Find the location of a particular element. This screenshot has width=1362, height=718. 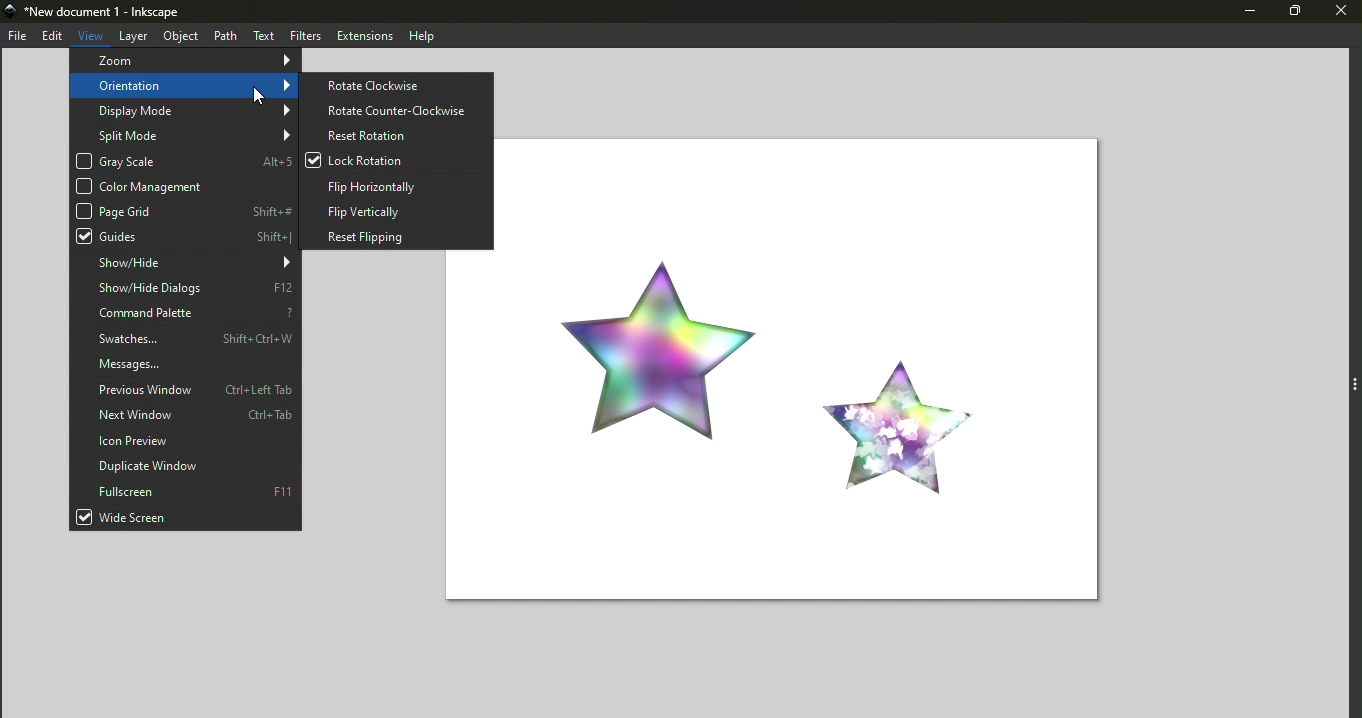

Reset flipping is located at coordinates (395, 235).